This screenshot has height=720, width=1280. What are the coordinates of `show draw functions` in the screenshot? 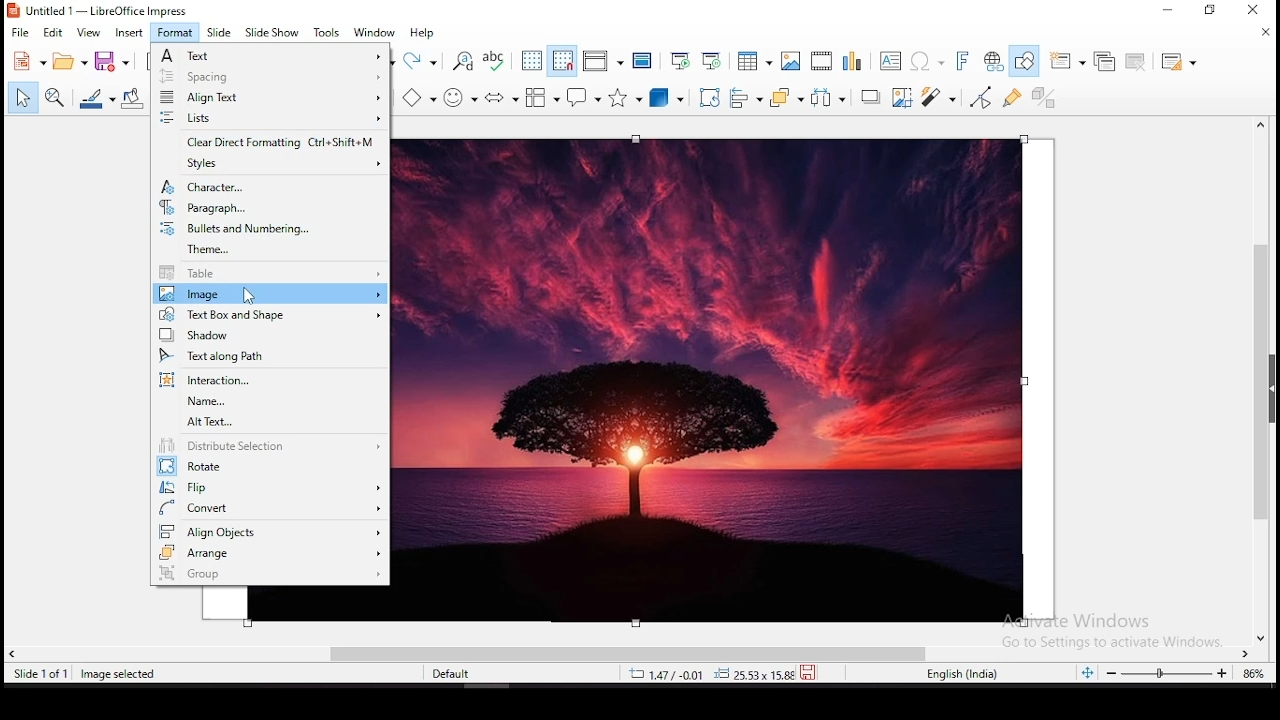 It's located at (1028, 60).